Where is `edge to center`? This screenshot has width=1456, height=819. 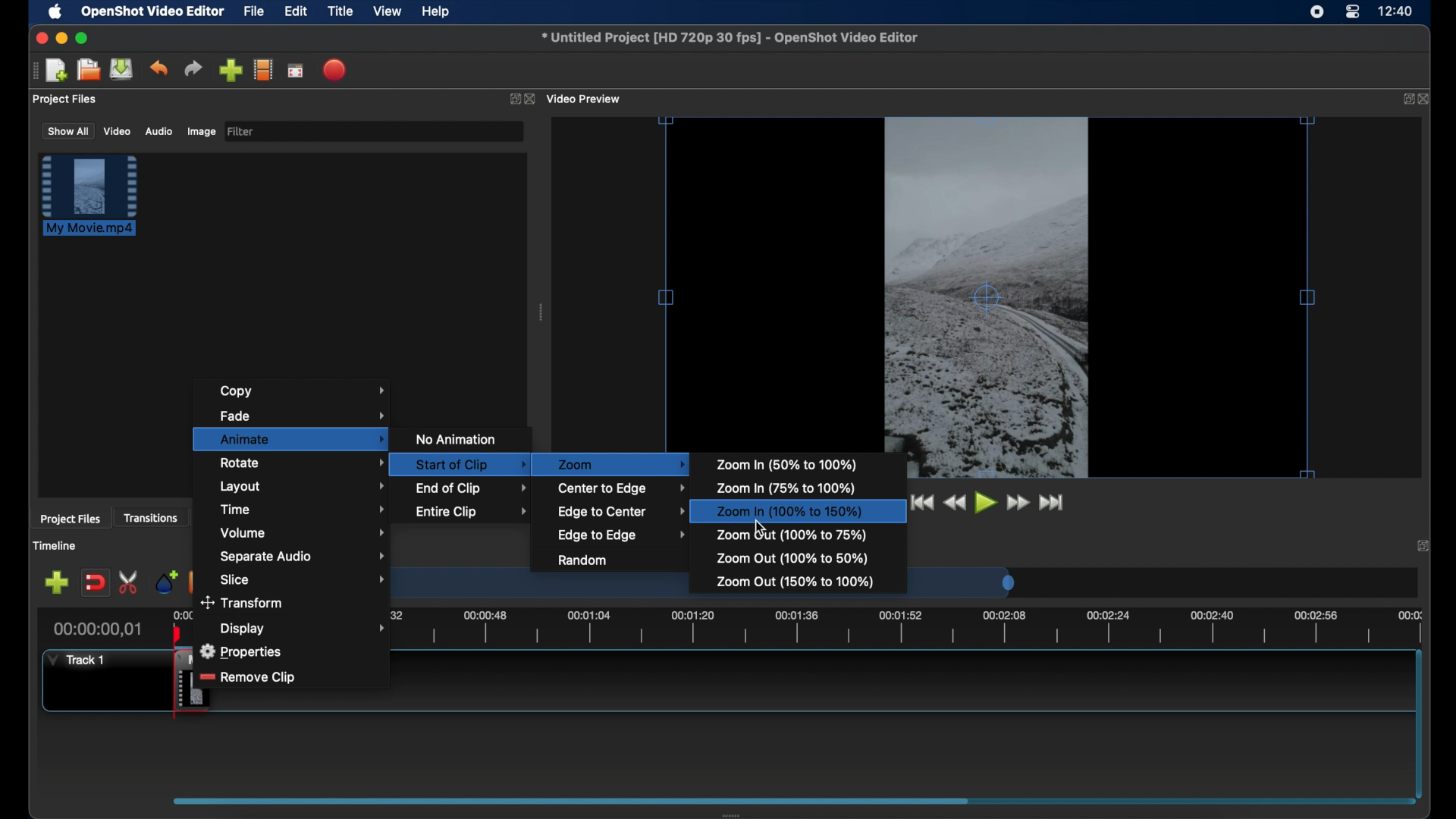
edge to center is located at coordinates (623, 511).